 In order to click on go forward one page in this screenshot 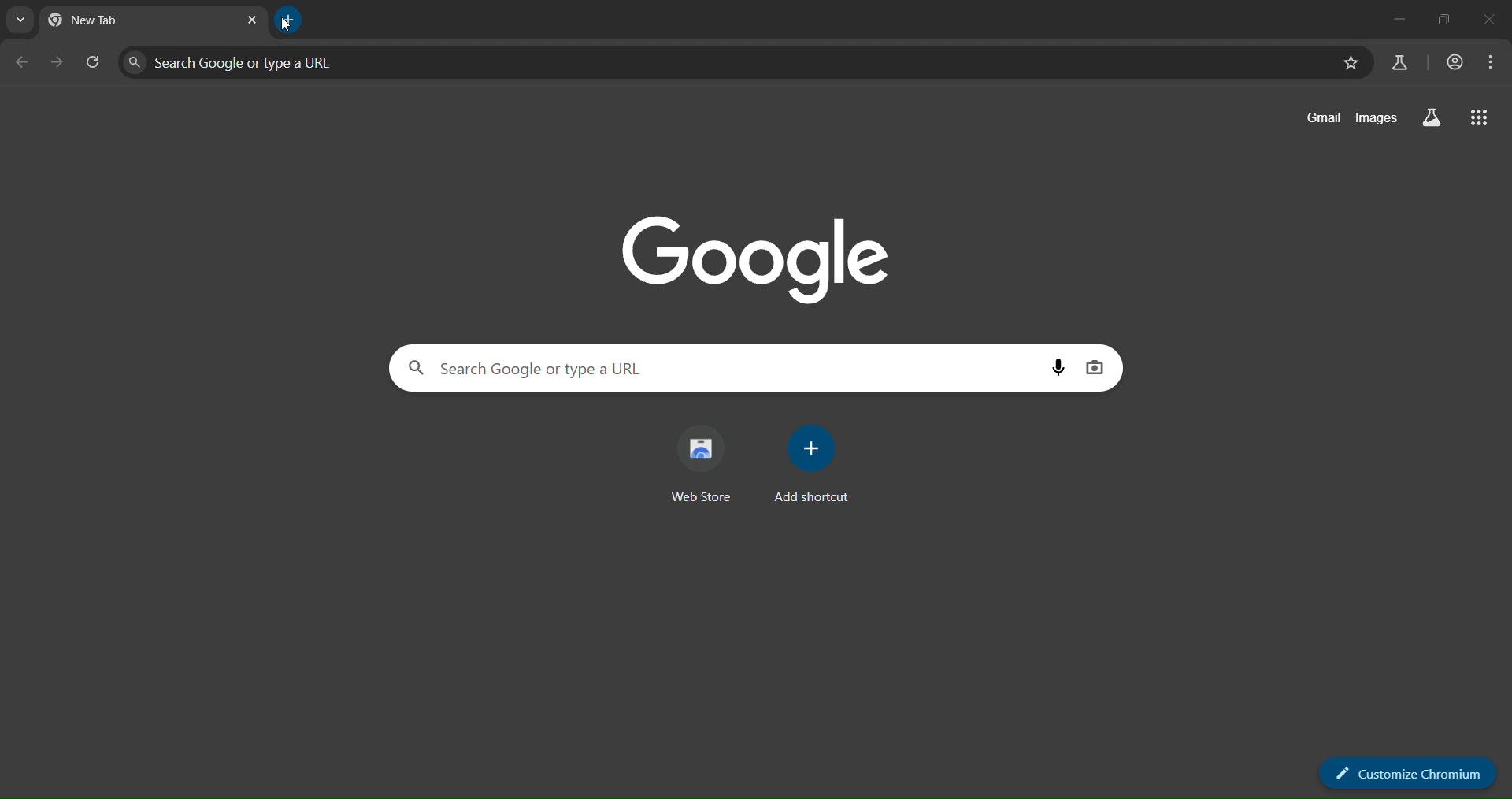, I will do `click(60, 64)`.